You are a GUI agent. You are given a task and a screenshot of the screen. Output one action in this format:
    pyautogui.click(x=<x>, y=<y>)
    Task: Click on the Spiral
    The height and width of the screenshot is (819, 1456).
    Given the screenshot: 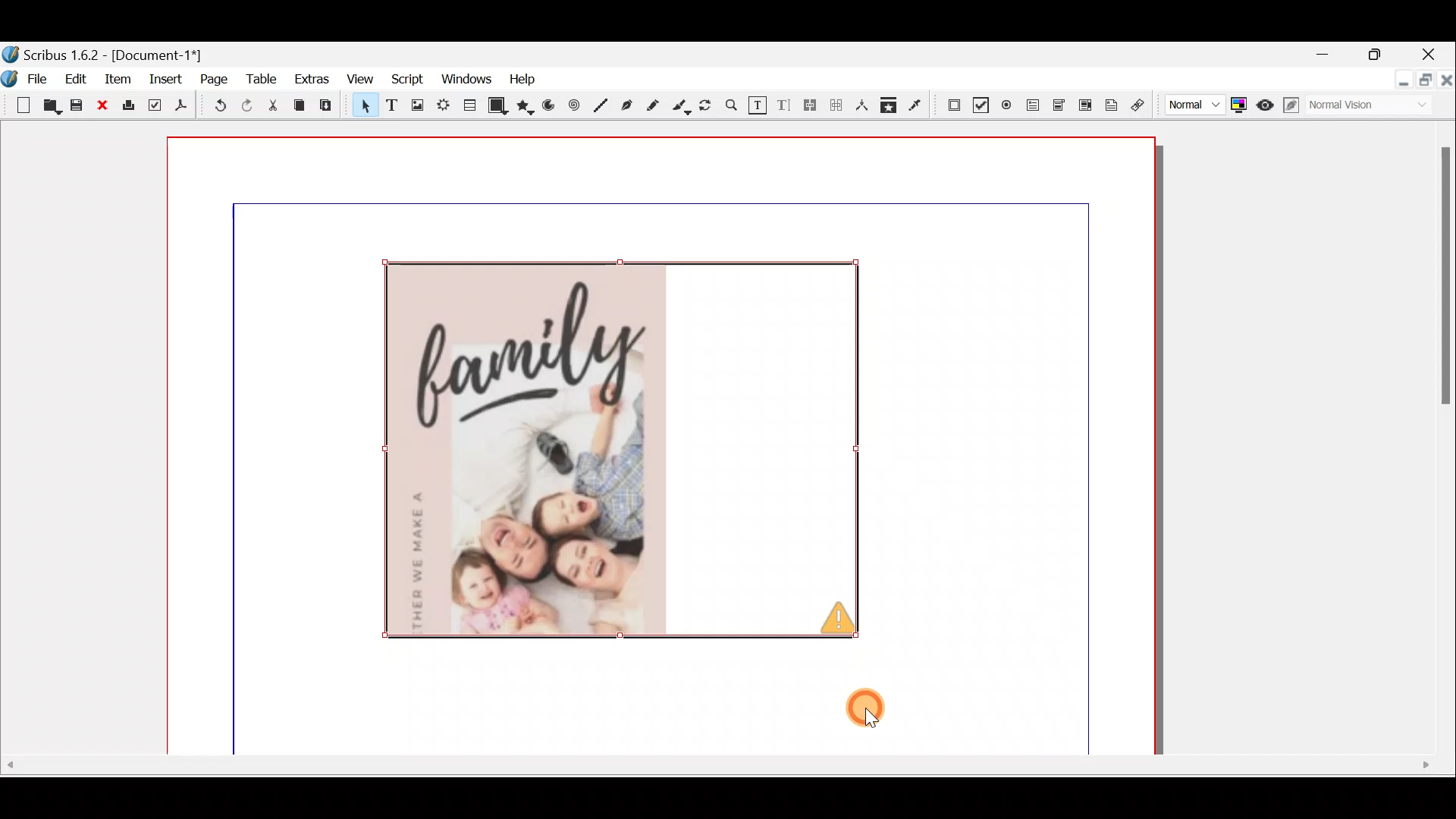 What is the action you would take?
    pyautogui.click(x=576, y=109)
    